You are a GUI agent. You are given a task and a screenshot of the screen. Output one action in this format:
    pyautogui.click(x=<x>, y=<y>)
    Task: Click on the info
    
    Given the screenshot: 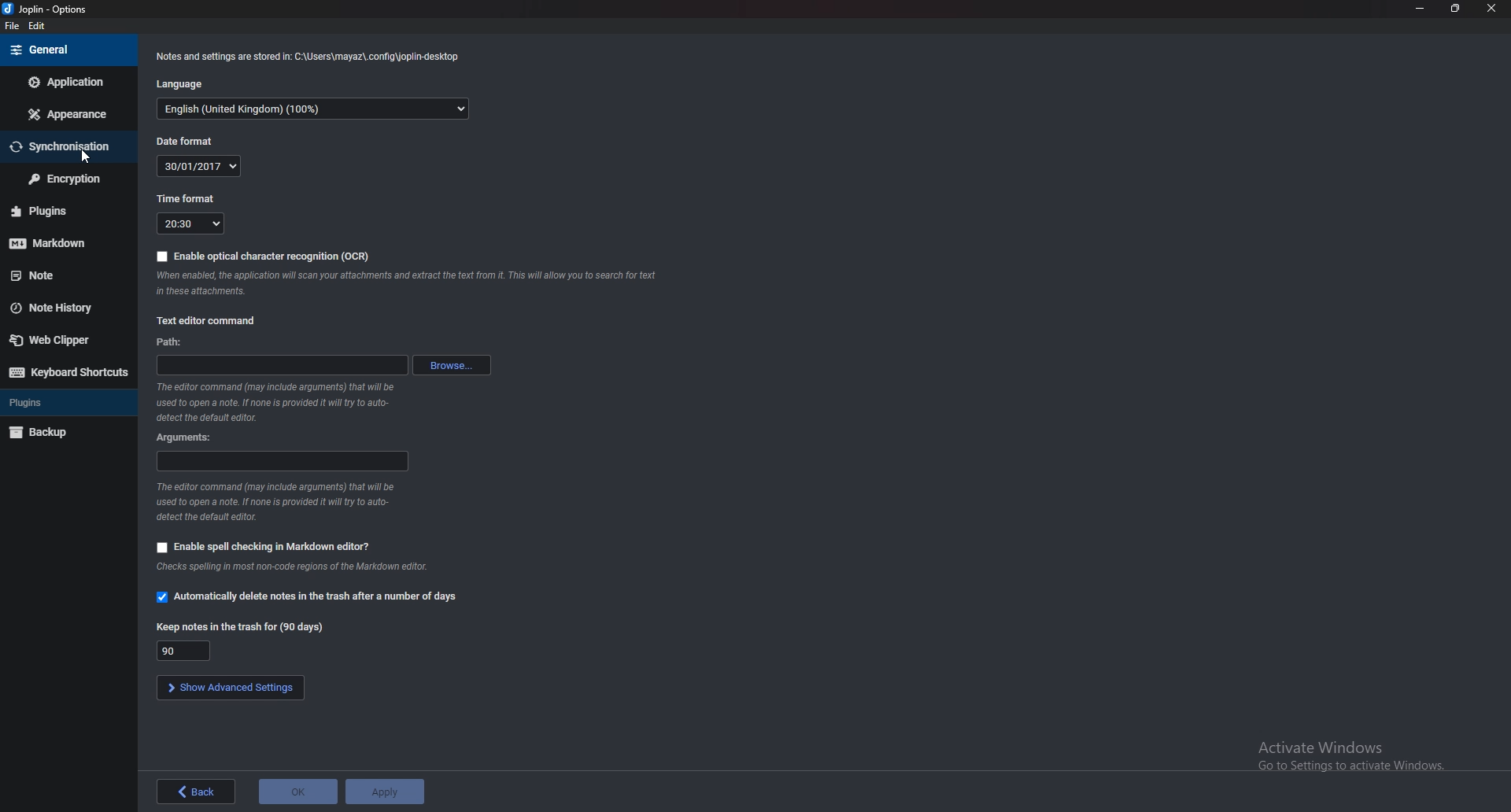 What is the action you would take?
    pyautogui.click(x=290, y=567)
    